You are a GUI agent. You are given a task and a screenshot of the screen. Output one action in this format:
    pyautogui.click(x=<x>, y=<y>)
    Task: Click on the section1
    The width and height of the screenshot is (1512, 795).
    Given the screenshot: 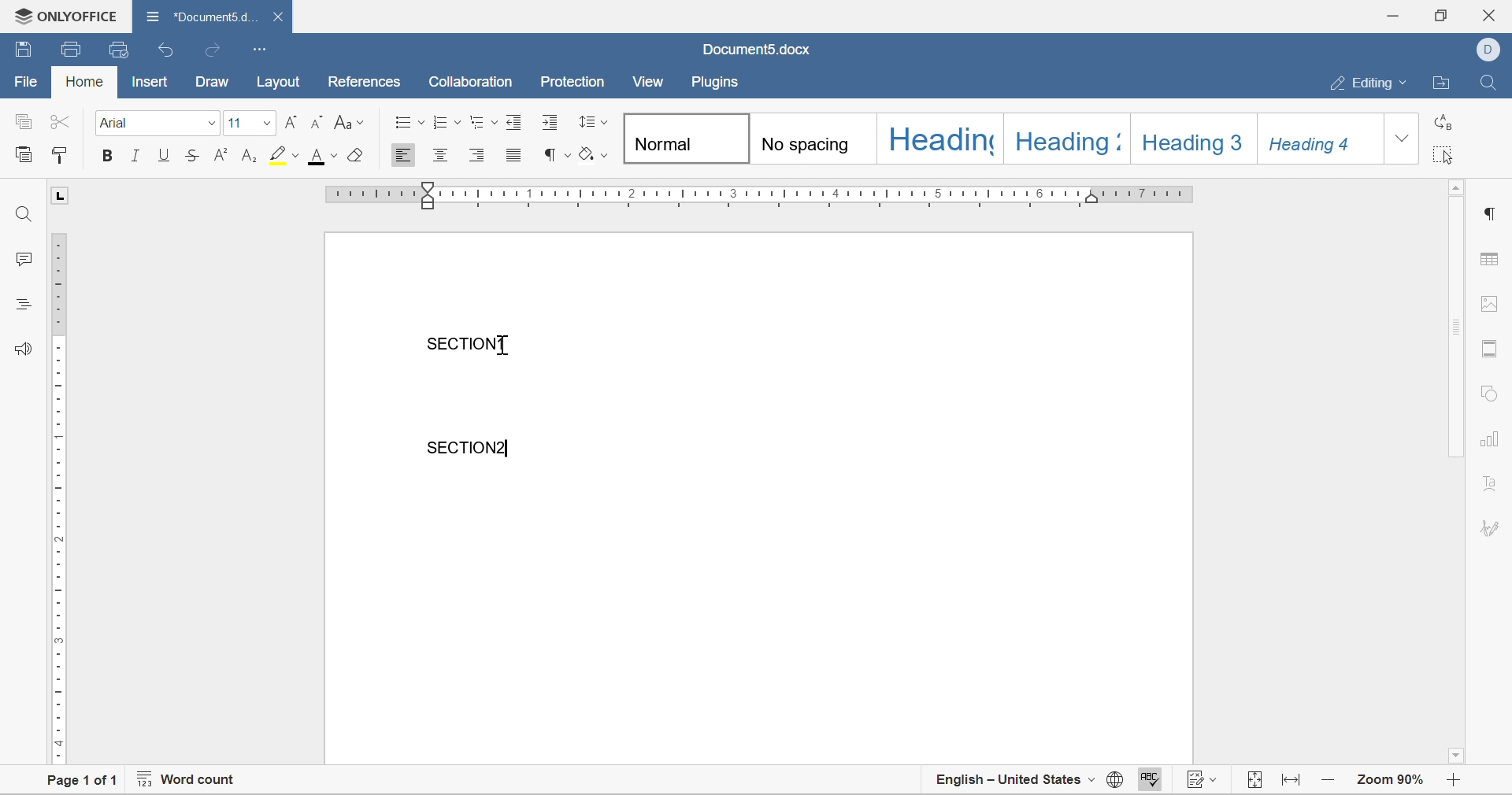 What is the action you would take?
    pyautogui.click(x=467, y=343)
    